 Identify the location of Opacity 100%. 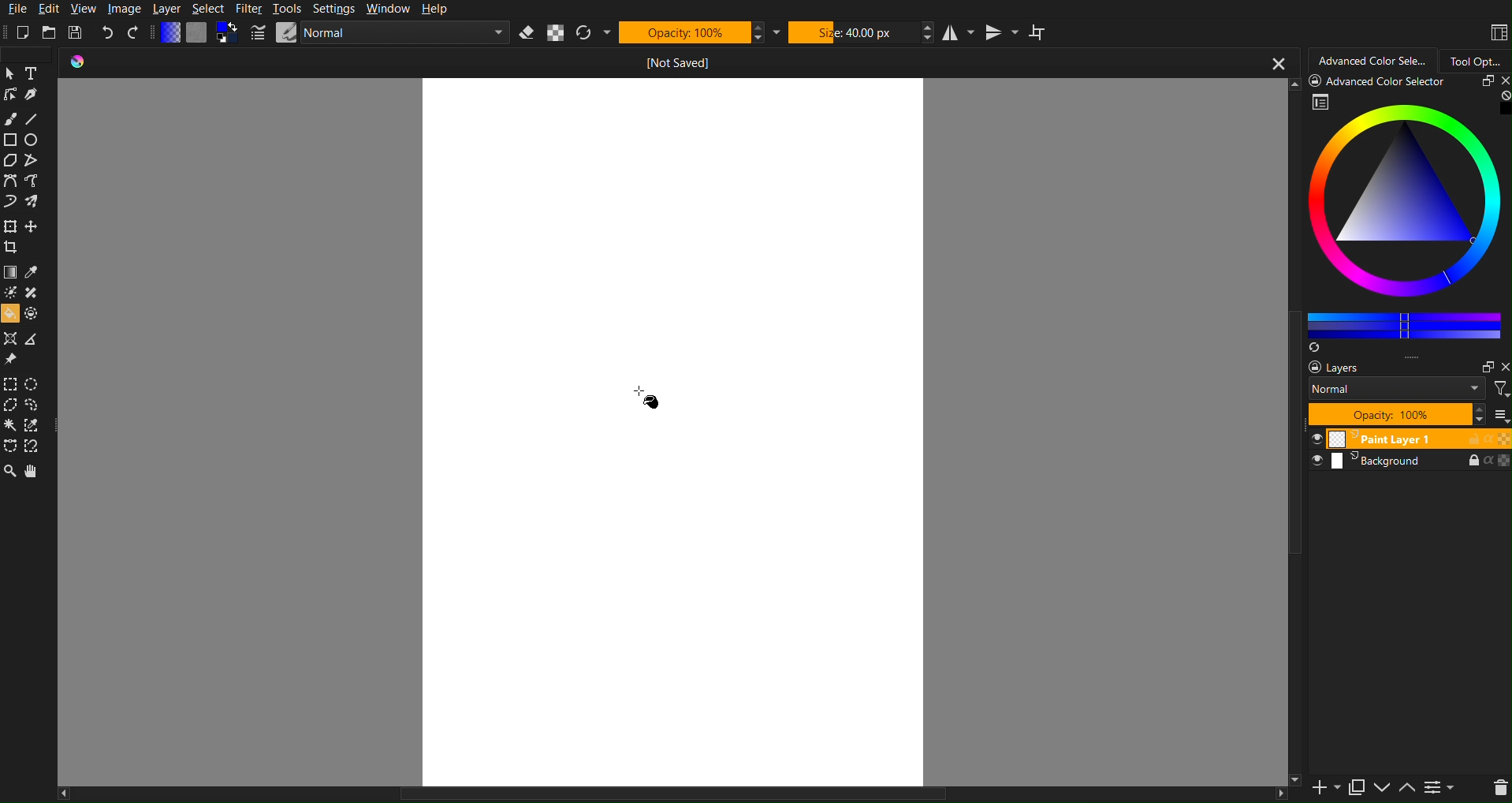
(699, 32).